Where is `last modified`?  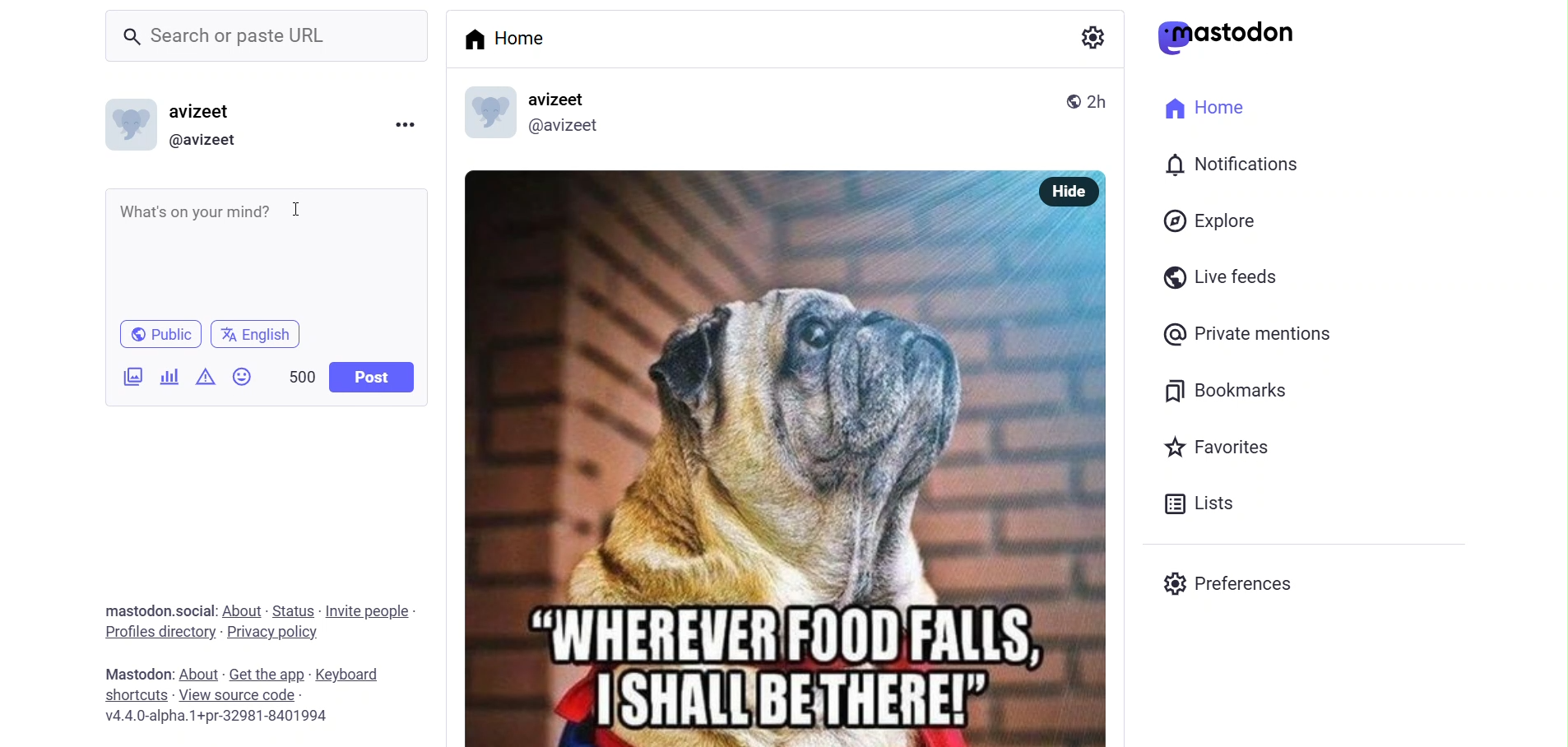
last modified is located at coordinates (1097, 103).